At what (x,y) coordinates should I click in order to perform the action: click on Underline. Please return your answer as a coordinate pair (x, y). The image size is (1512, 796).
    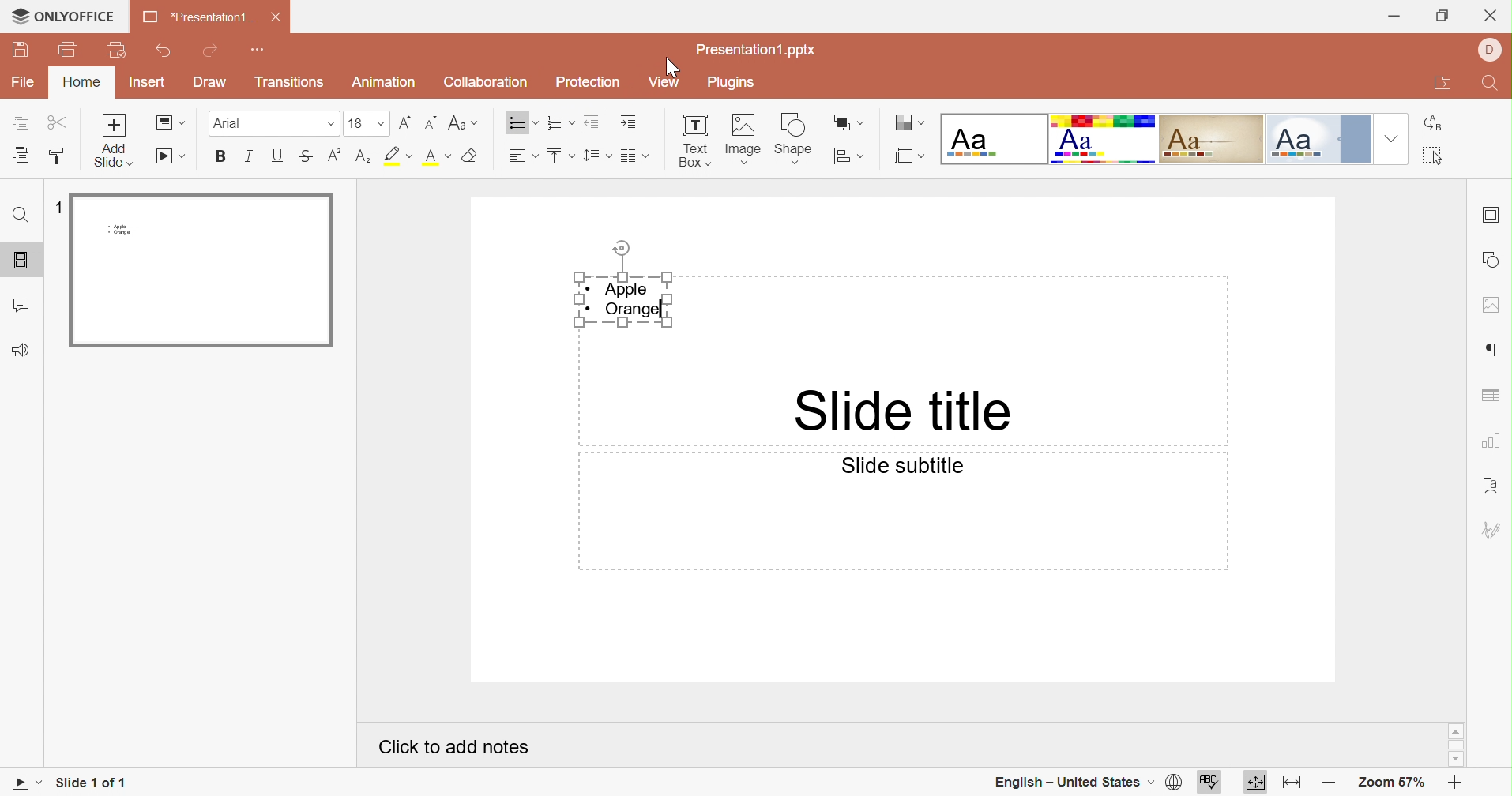
    Looking at the image, I should click on (278, 157).